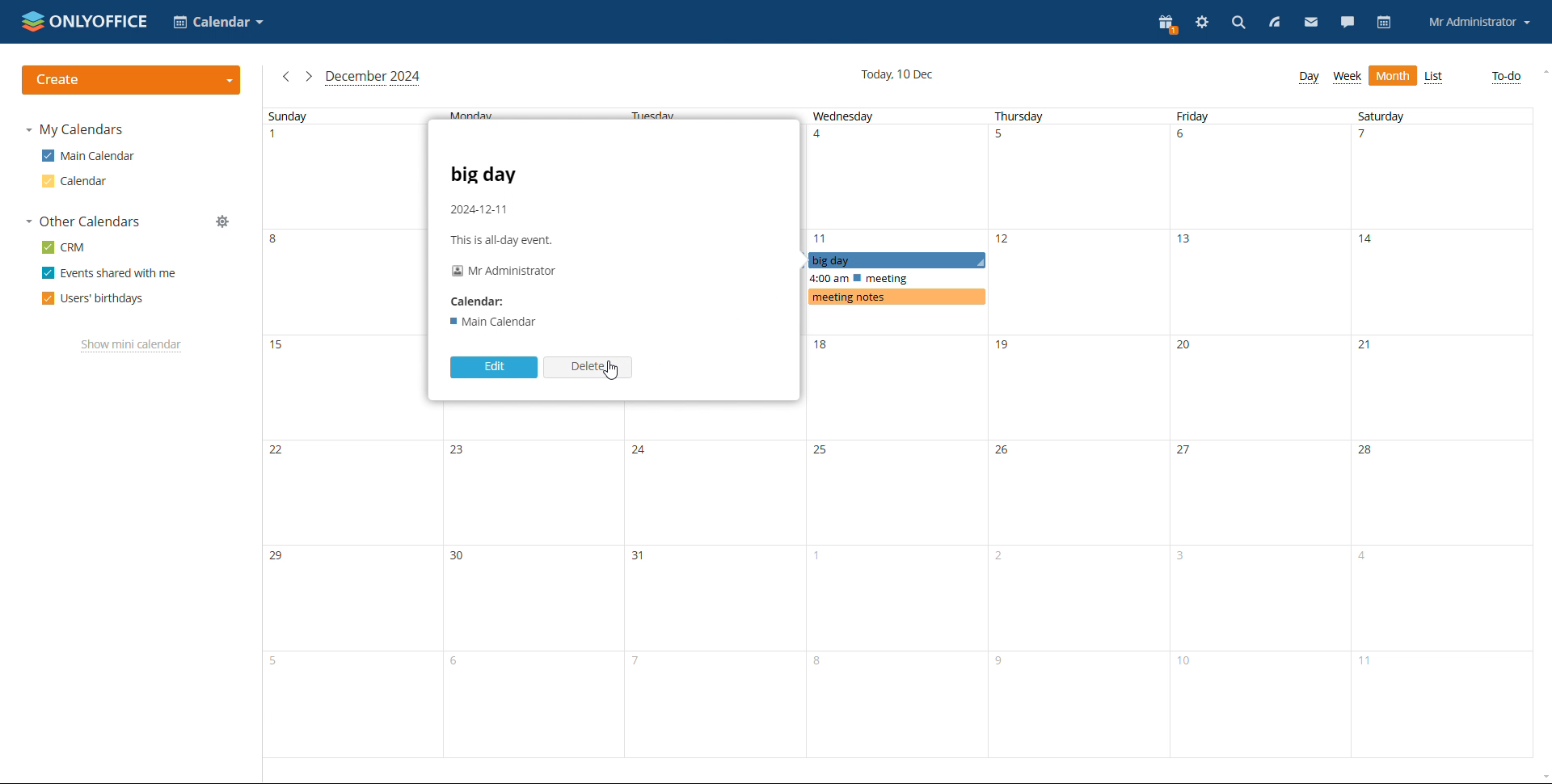  Describe the element at coordinates (714, 597) in the screenshot. I see `Tuesday` at that location.